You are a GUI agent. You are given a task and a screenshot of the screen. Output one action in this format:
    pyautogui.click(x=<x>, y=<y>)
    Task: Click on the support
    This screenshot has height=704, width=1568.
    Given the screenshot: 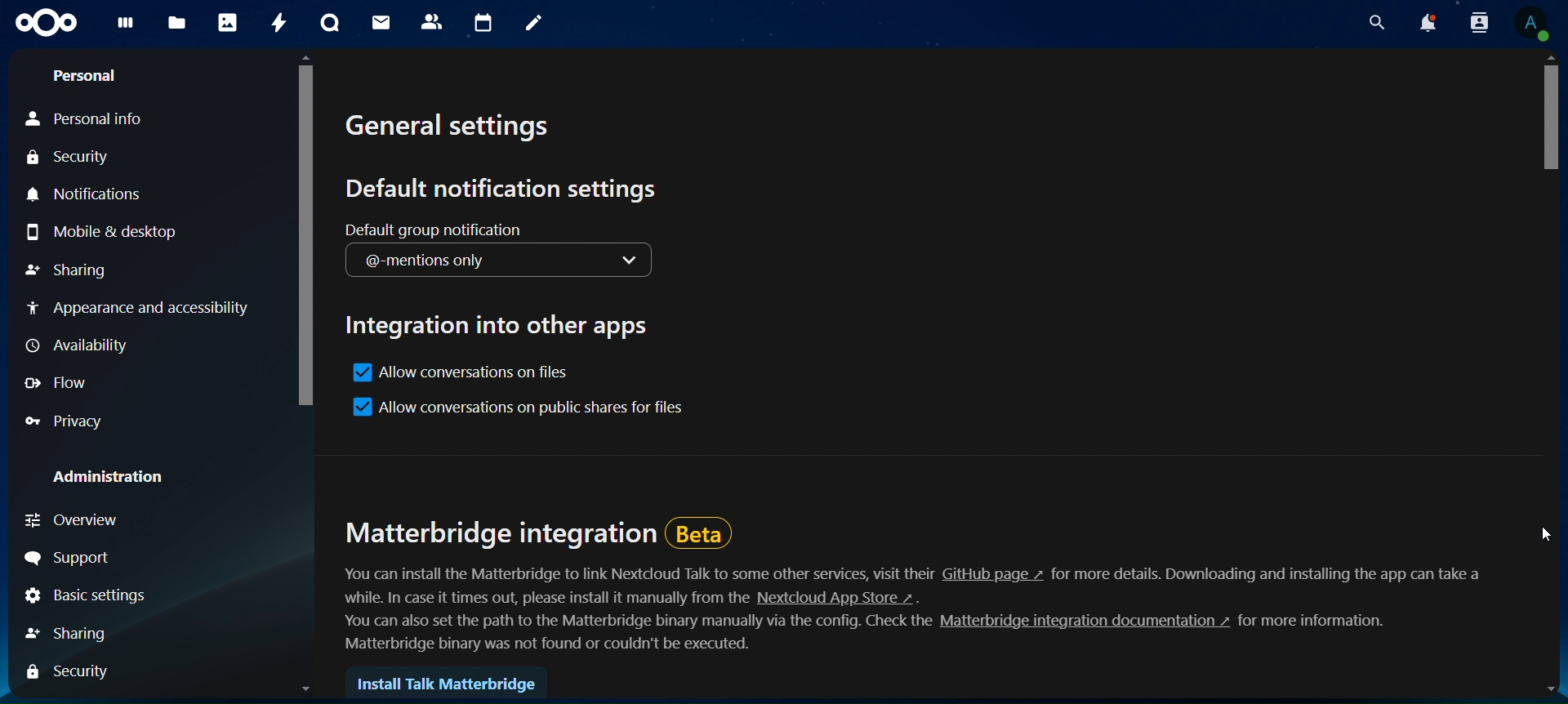 What is the action you would take?
    pyautogui.click(x=70, y=559)
    